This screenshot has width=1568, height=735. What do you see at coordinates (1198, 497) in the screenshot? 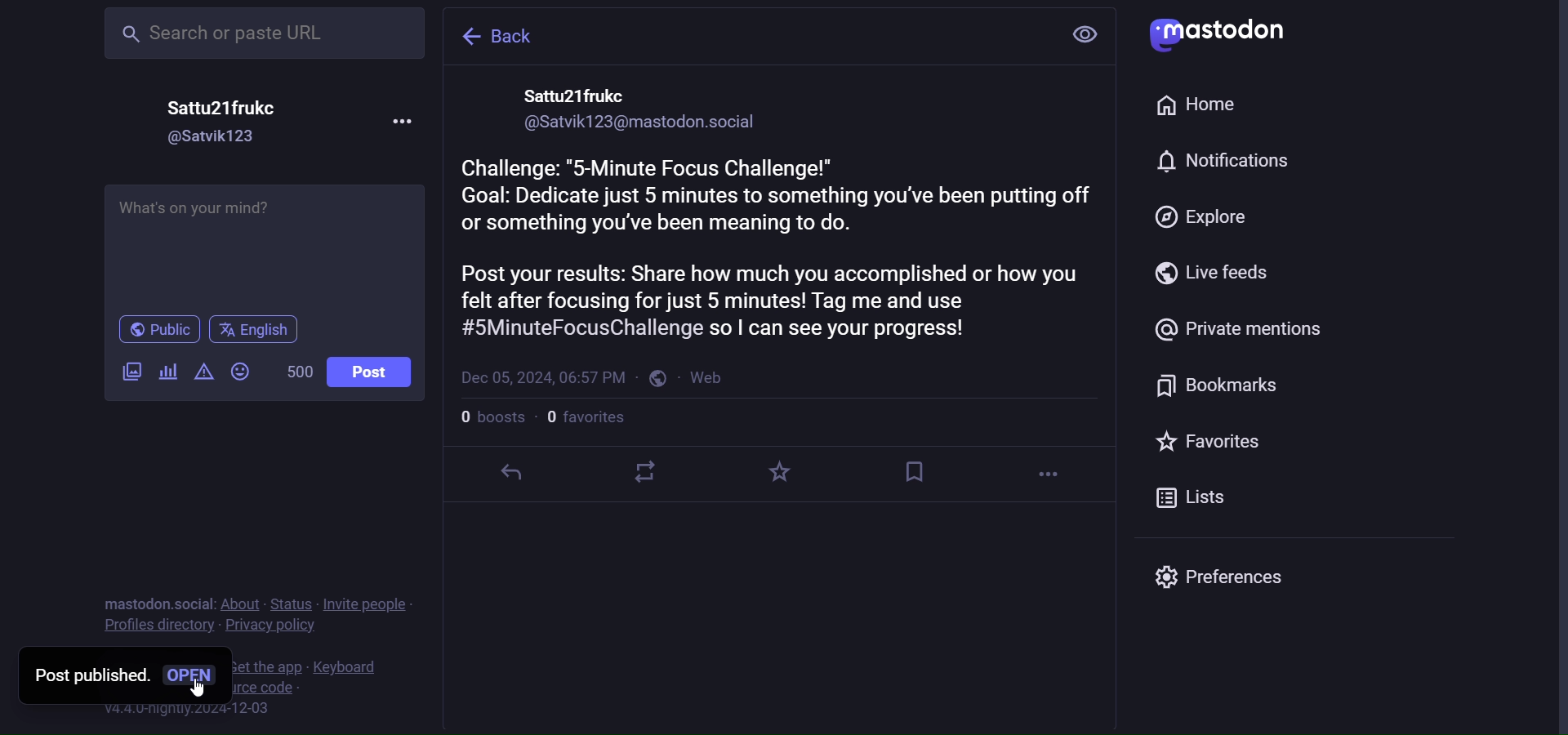
I see `list` at bounding box center [1198, 497].